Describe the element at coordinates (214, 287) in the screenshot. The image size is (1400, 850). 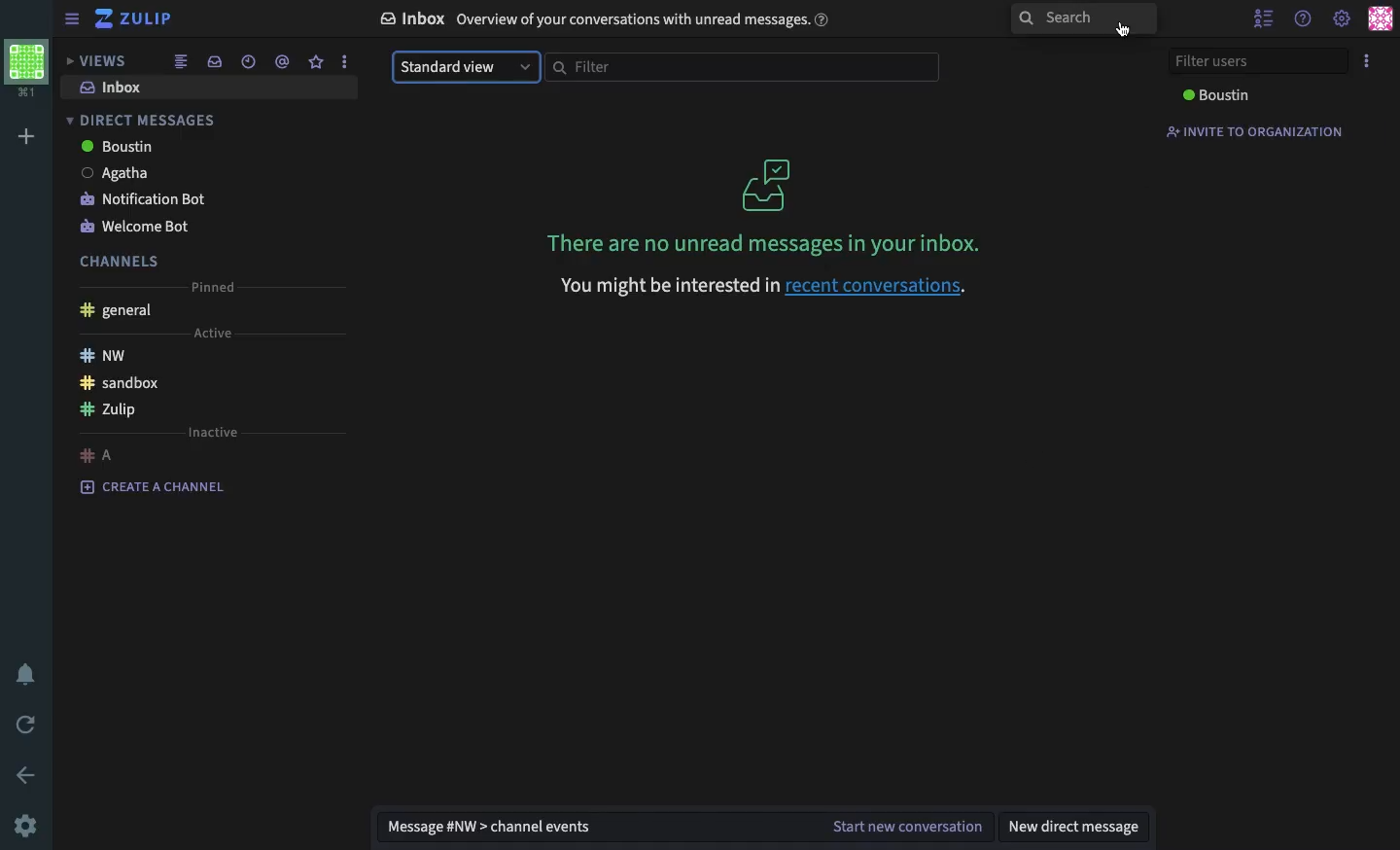
I see `pinned` at that location.